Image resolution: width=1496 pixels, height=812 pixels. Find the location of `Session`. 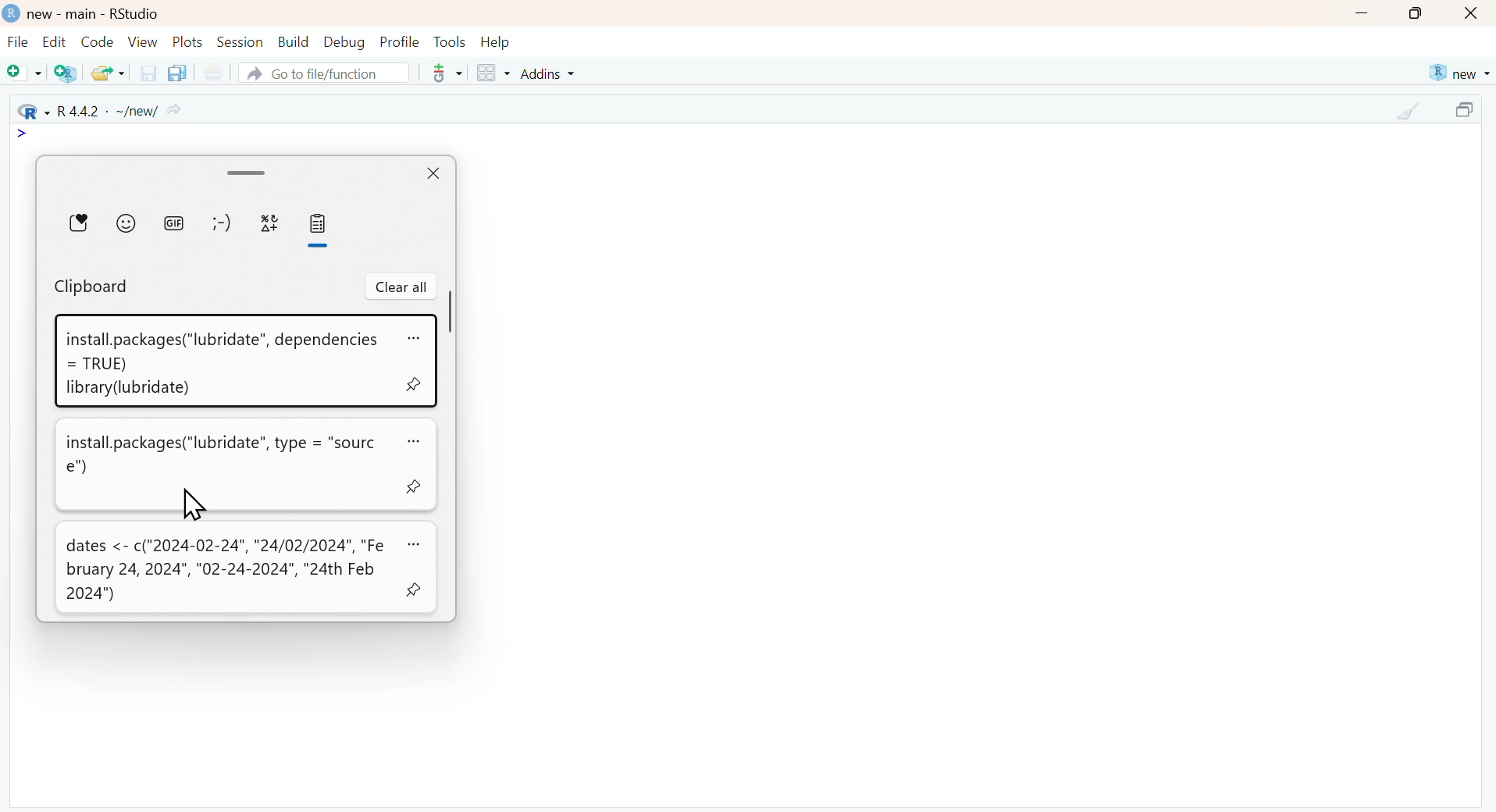

Session is located at coordinates (240, 41).